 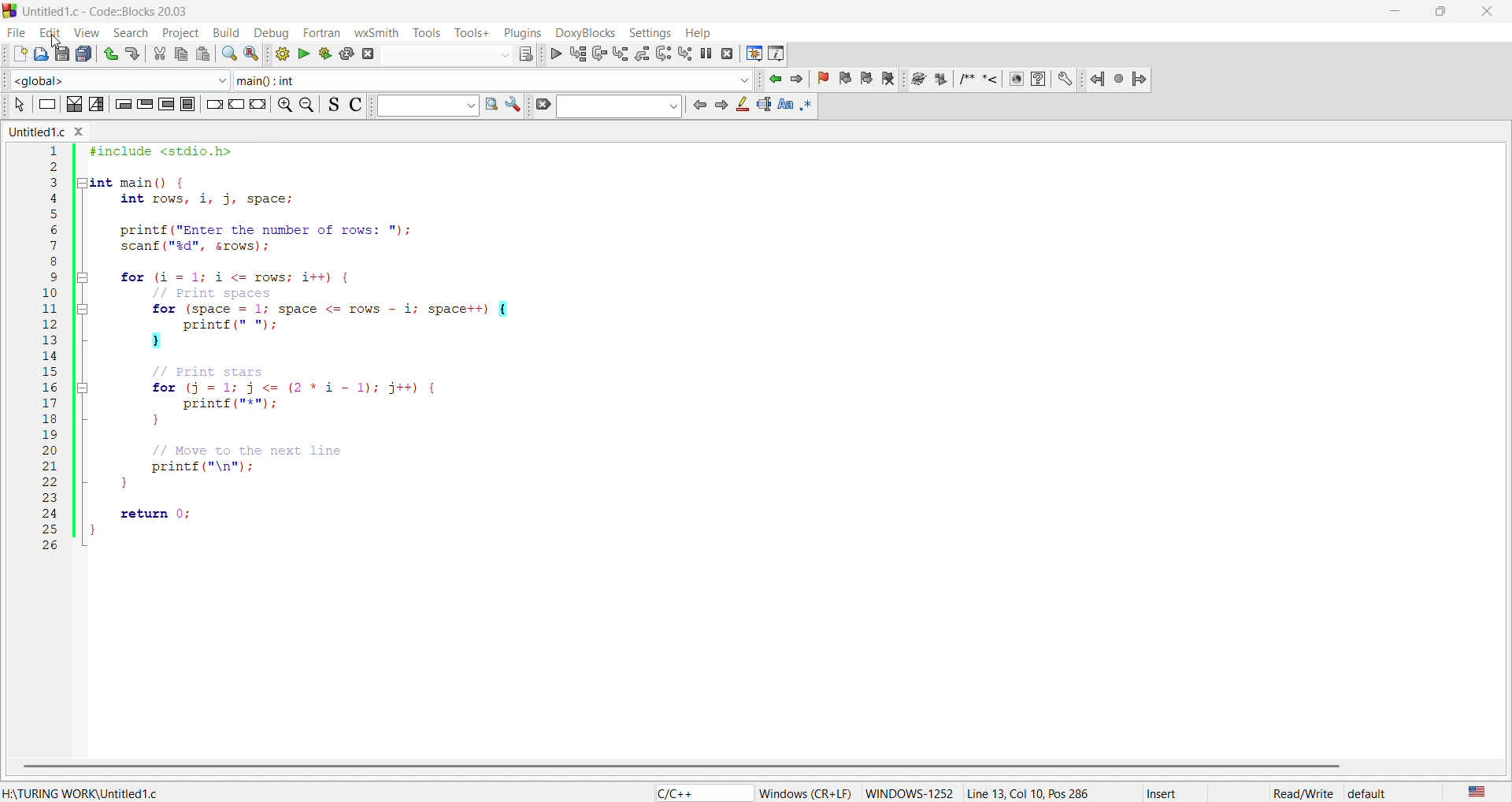 I want to click on search, so click(x=491, y=104).